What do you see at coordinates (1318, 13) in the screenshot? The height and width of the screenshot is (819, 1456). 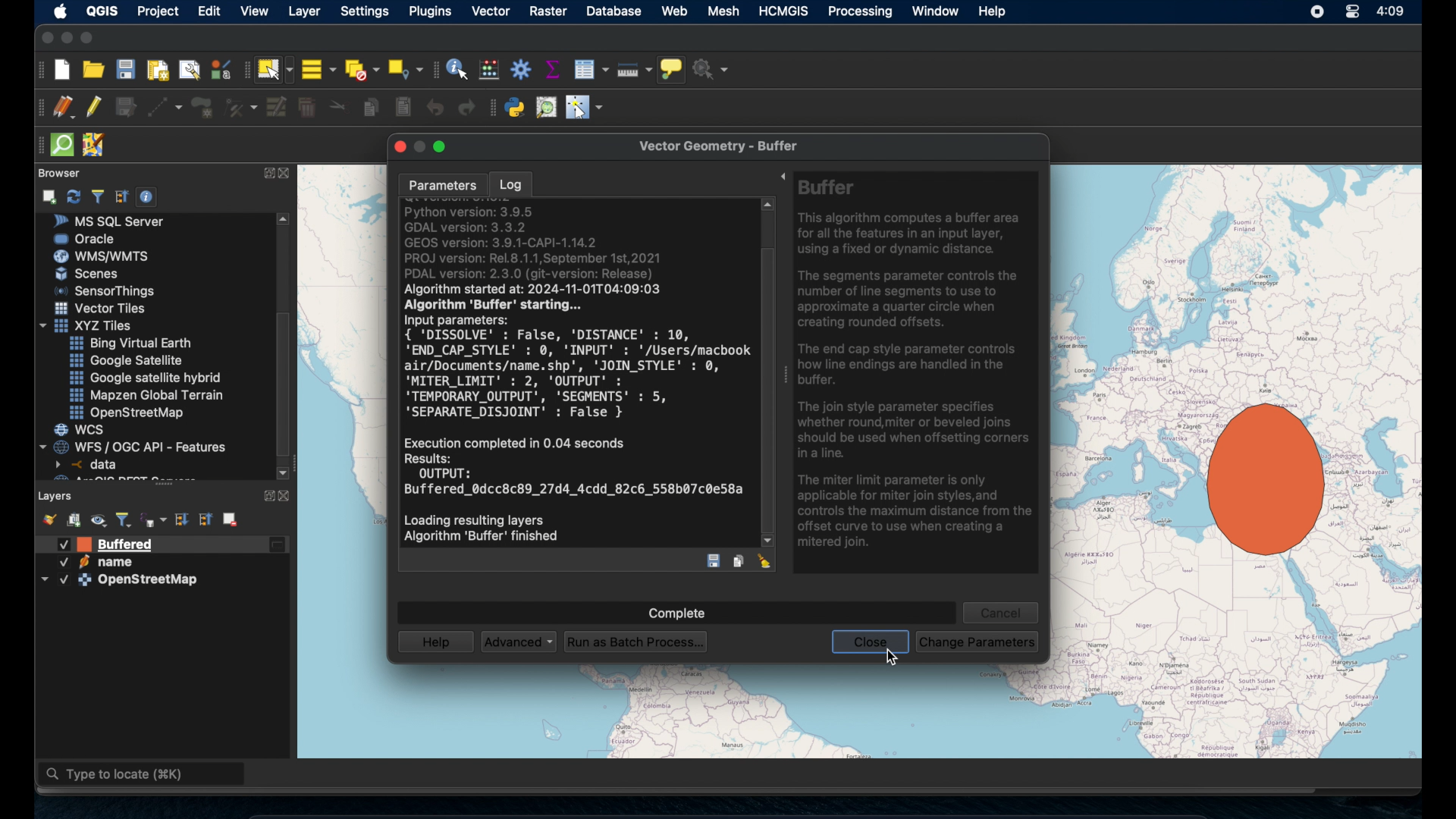 I see `screen recorder icon` at bounding box center [1318, 13].